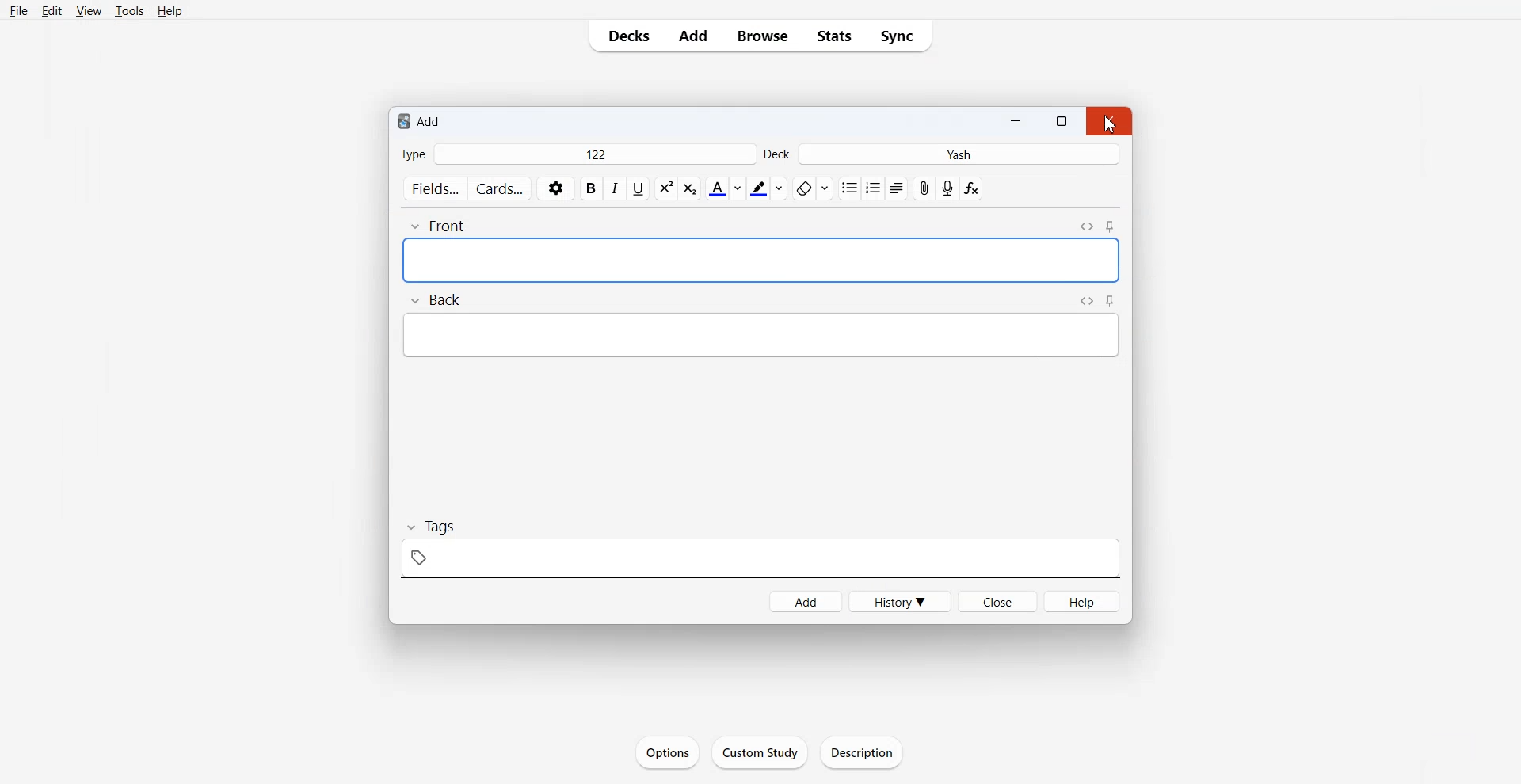 The image size is (1521, 784). What do you see at coordinates (1087, 227) in the screenshot?
I see `Toggle HTML` at bounding box center [1087, 227].